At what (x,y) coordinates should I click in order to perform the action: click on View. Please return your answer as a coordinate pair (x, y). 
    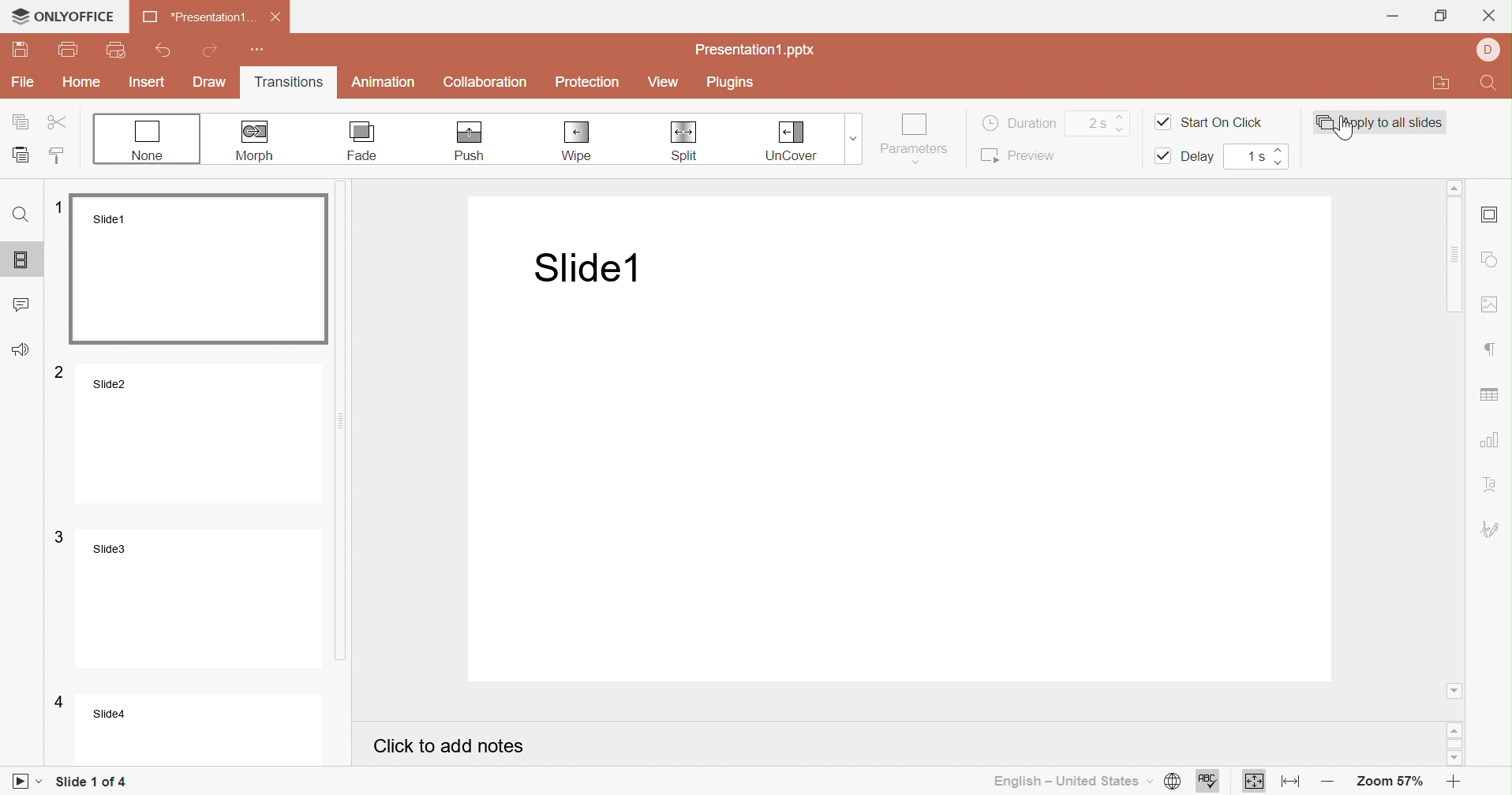
    Looking at the image, I should click on (663, 84).